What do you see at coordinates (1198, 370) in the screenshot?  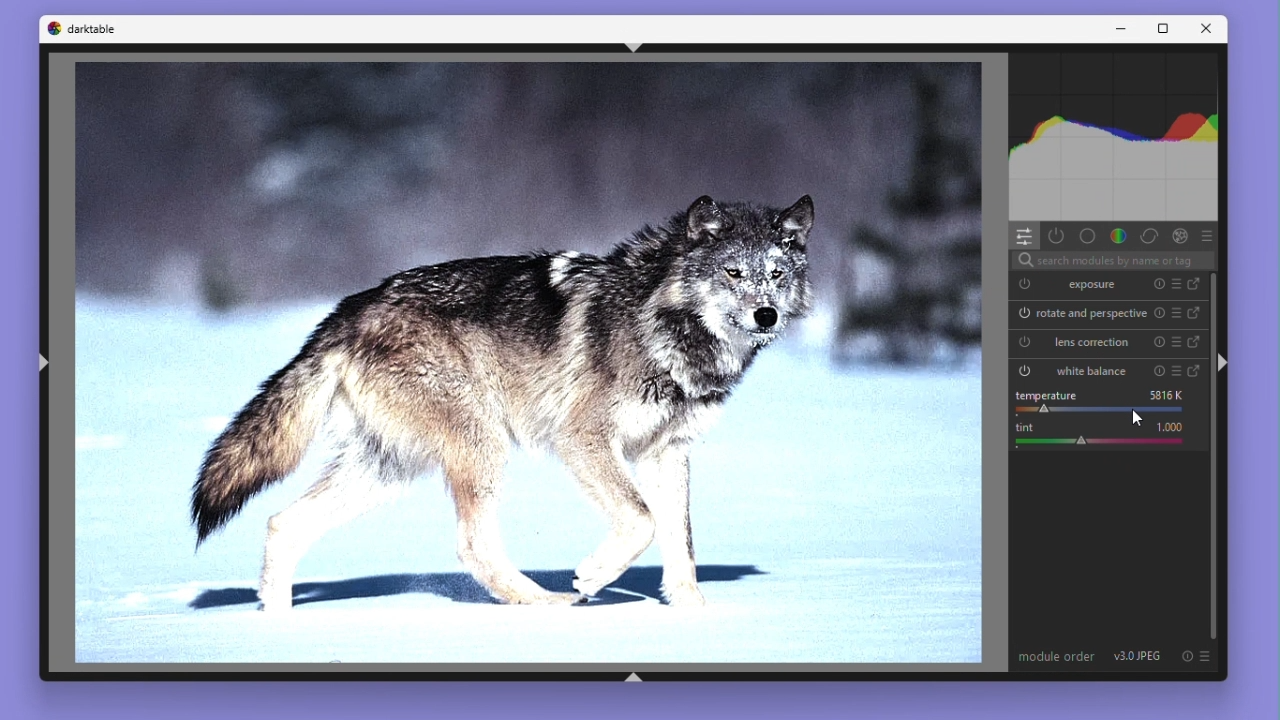 I see `Go to full version of white balance` at bounding box center [1198, 370].